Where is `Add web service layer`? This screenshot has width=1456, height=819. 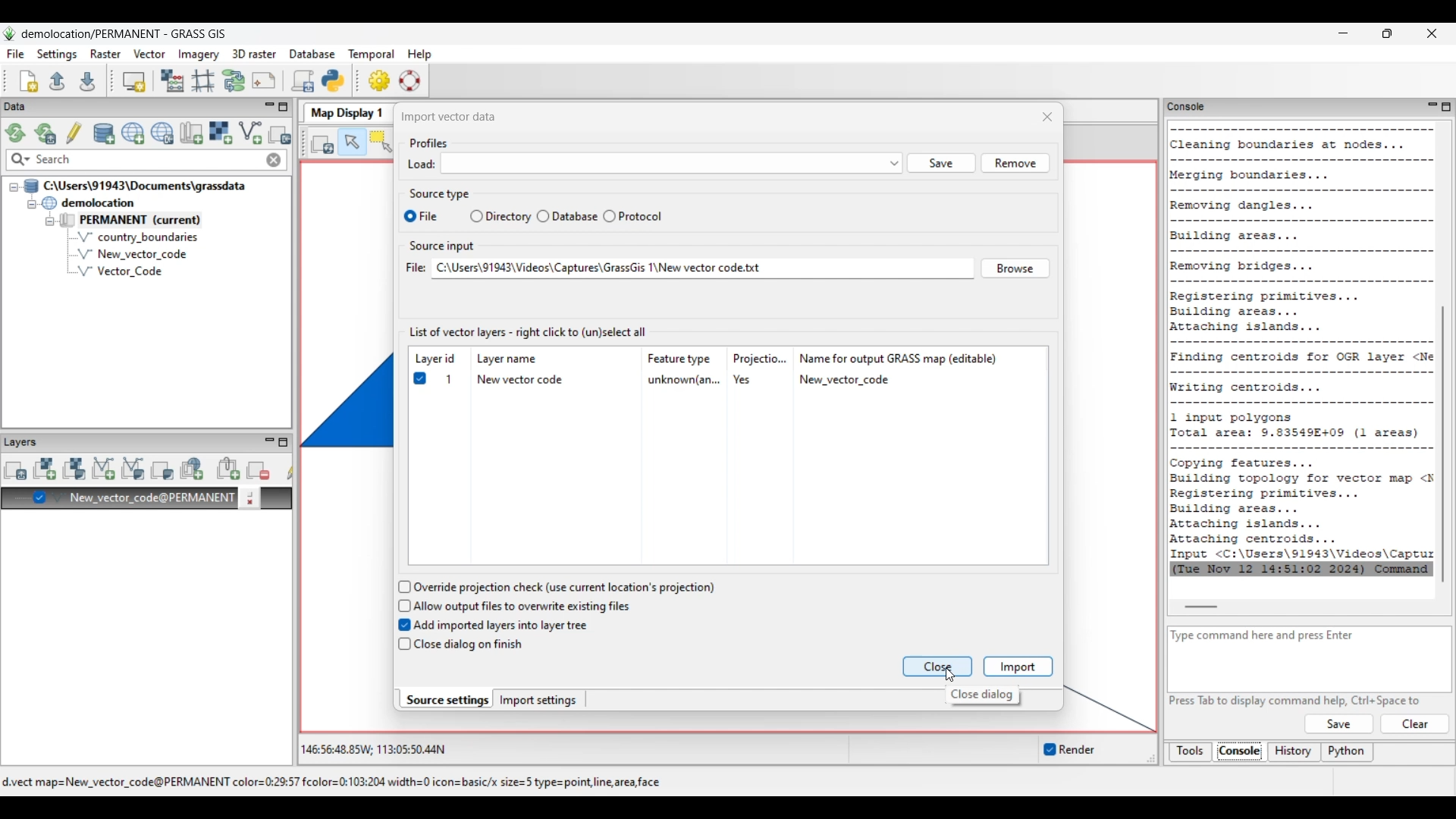 Add web service layer is located at coordinates (192, 469).